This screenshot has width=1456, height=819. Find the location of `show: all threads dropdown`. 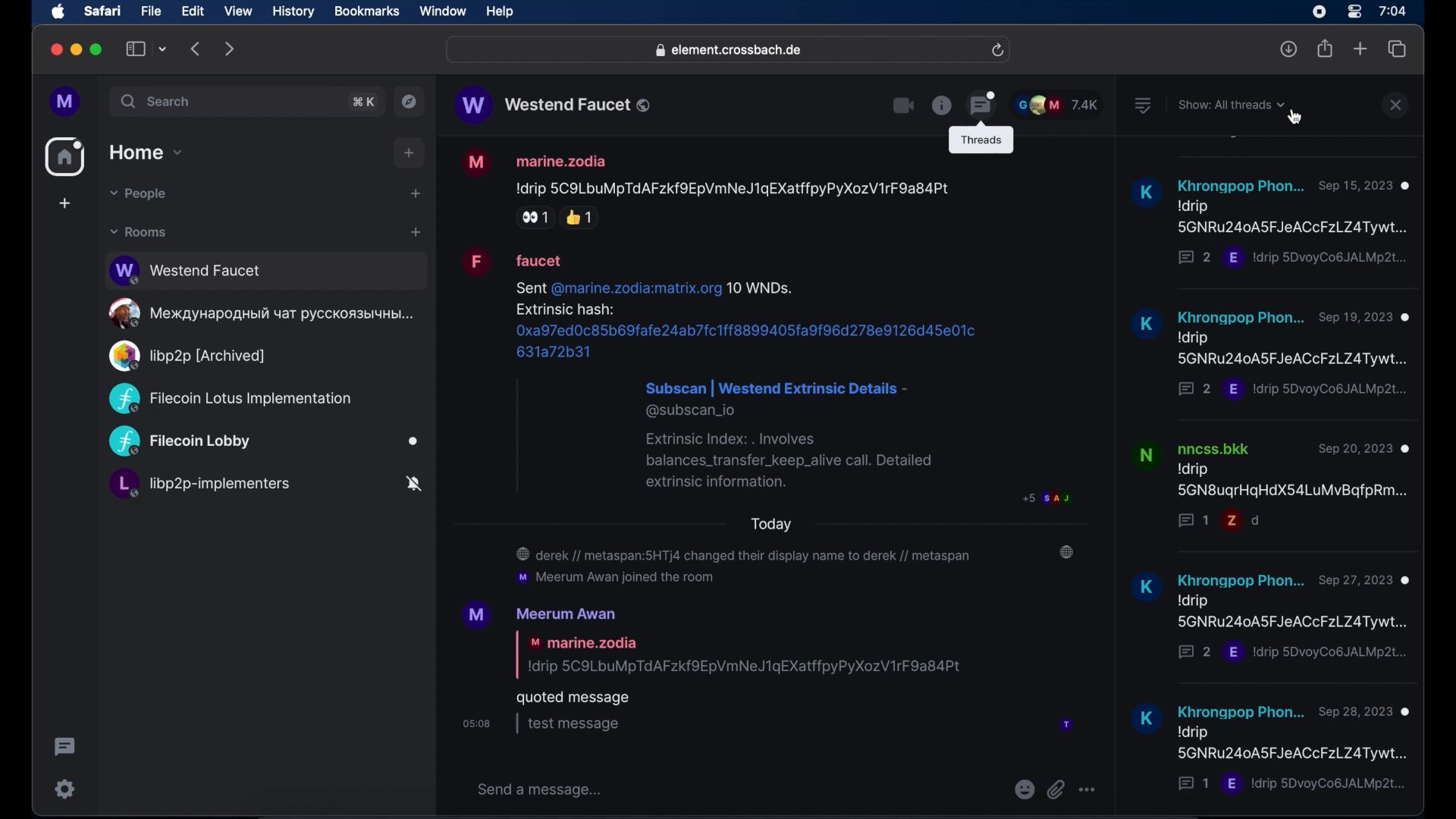

show: all threads dropdown is located at coordinates (1230, 103).